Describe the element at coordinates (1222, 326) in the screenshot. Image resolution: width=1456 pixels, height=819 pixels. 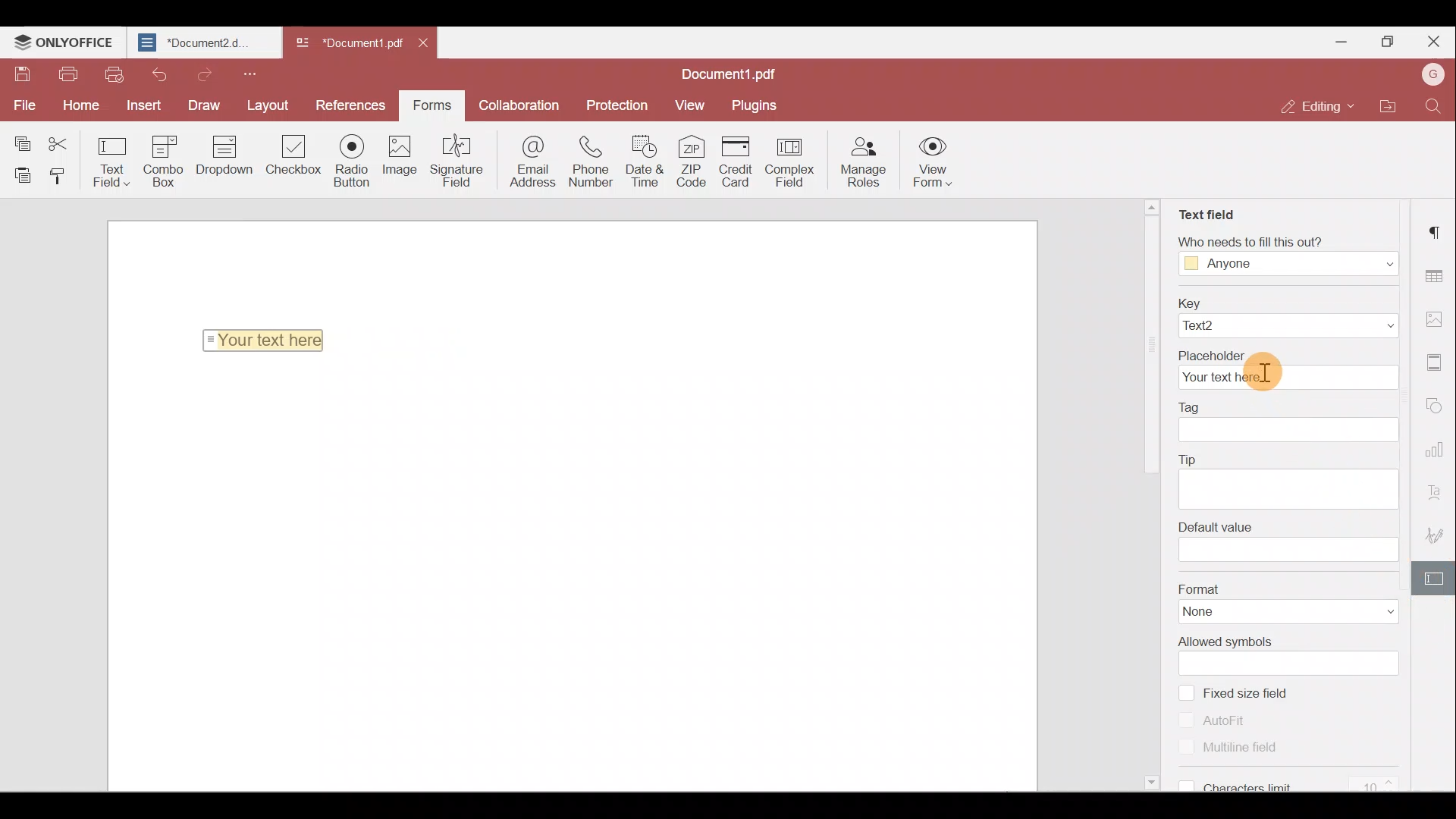
I see `Text2` at that location.